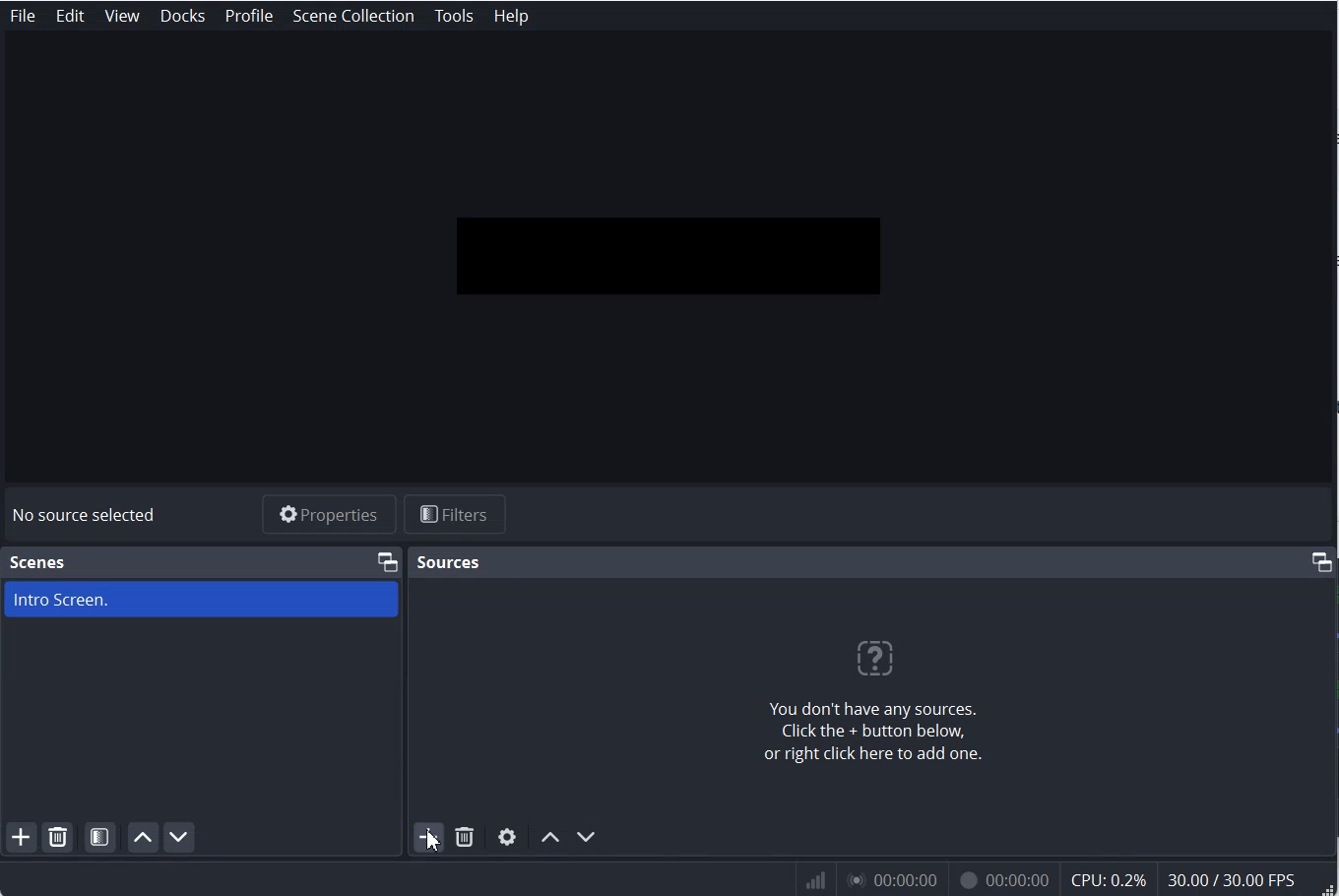 This screenshot has height=896, width=1339. I want to click on Sources, so click(447, 560).